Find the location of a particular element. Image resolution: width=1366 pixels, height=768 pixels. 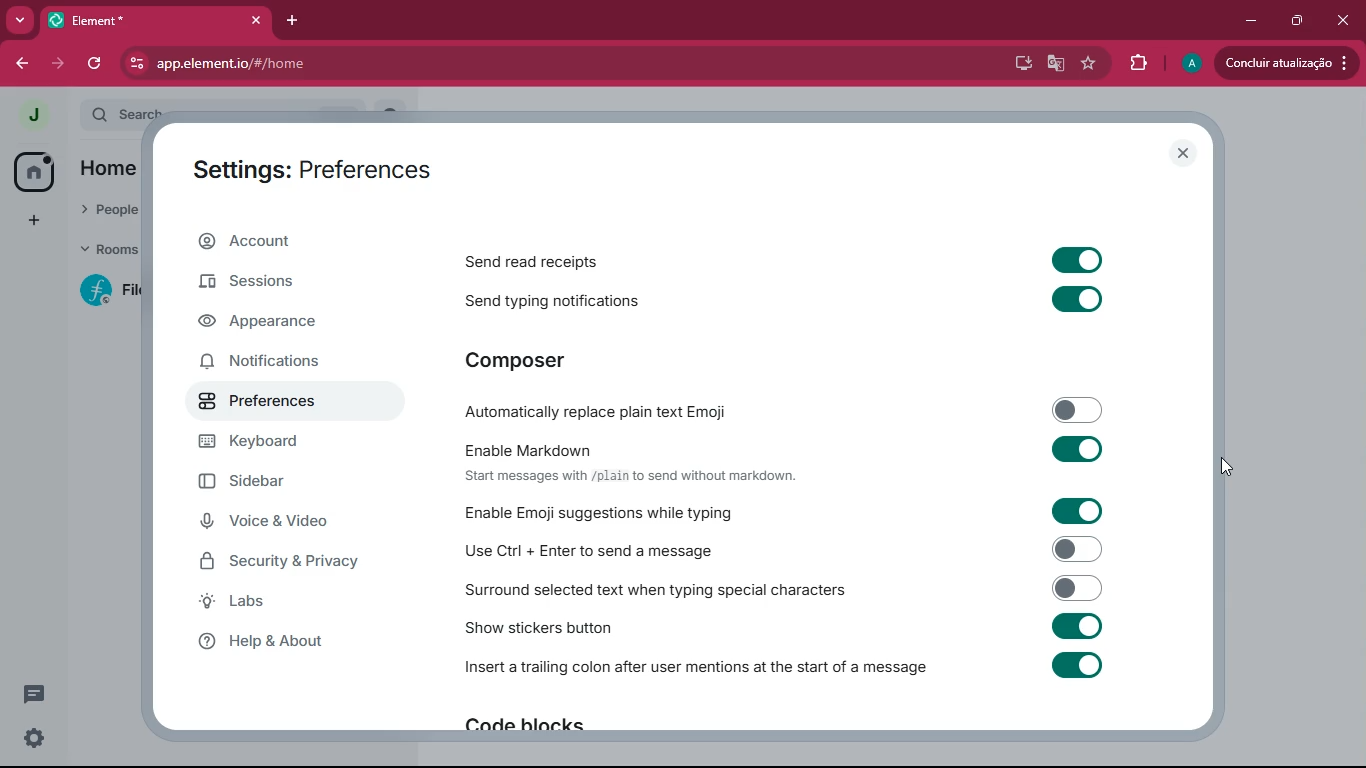

back is located at coordinates (25, 64).